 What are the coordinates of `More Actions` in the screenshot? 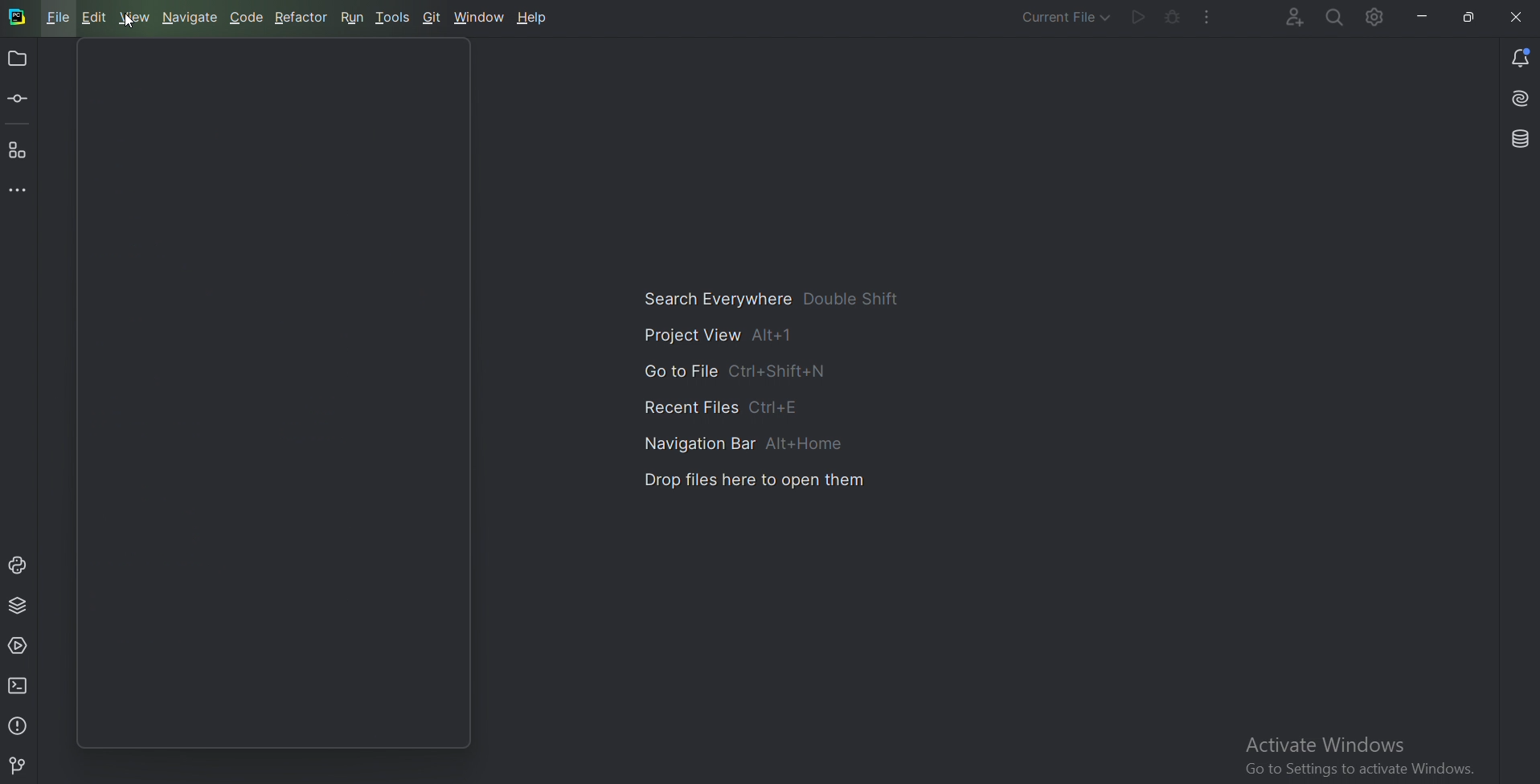 It's located at (1207, 17).